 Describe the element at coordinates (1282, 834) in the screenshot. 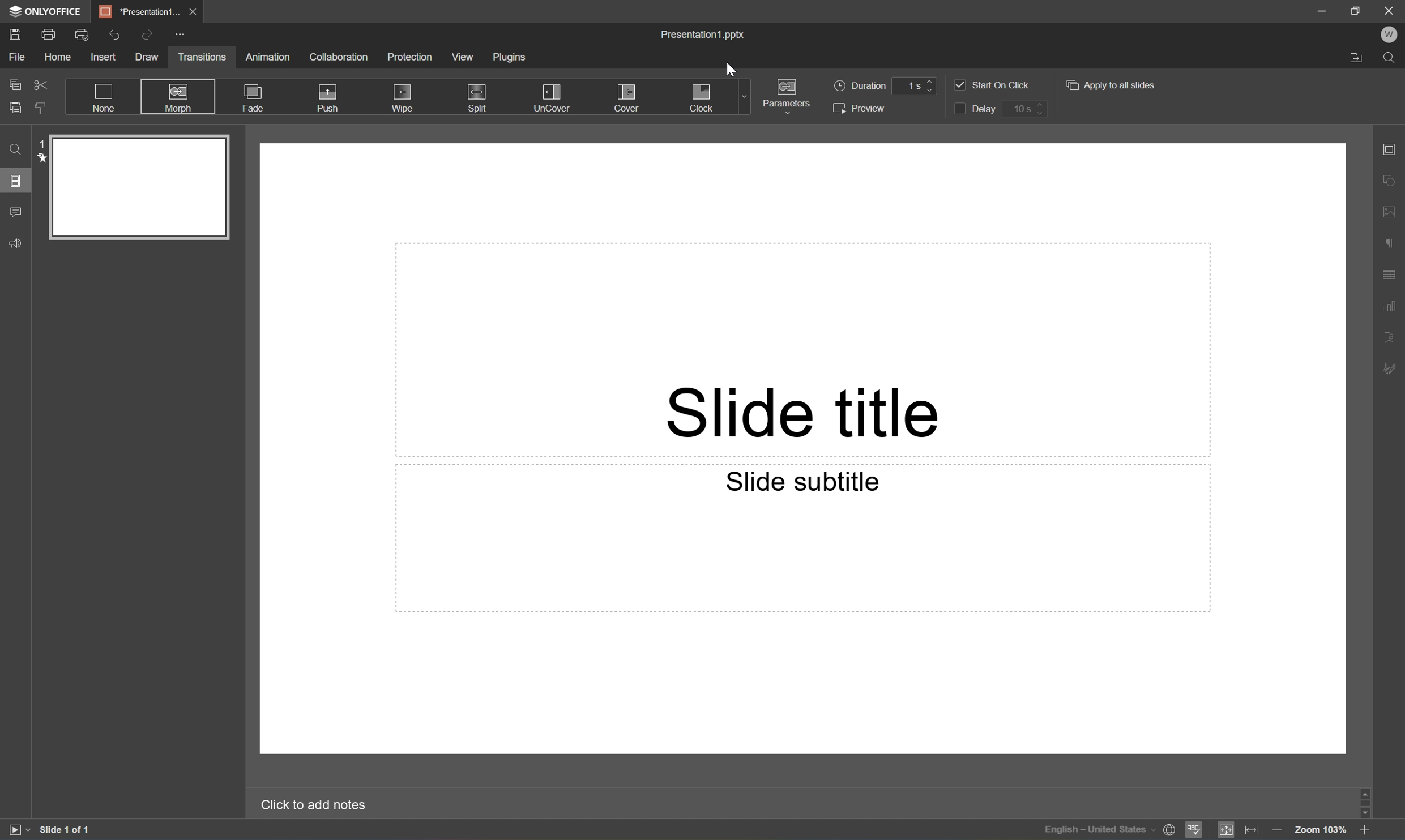

I see `Zoom out` at that location.